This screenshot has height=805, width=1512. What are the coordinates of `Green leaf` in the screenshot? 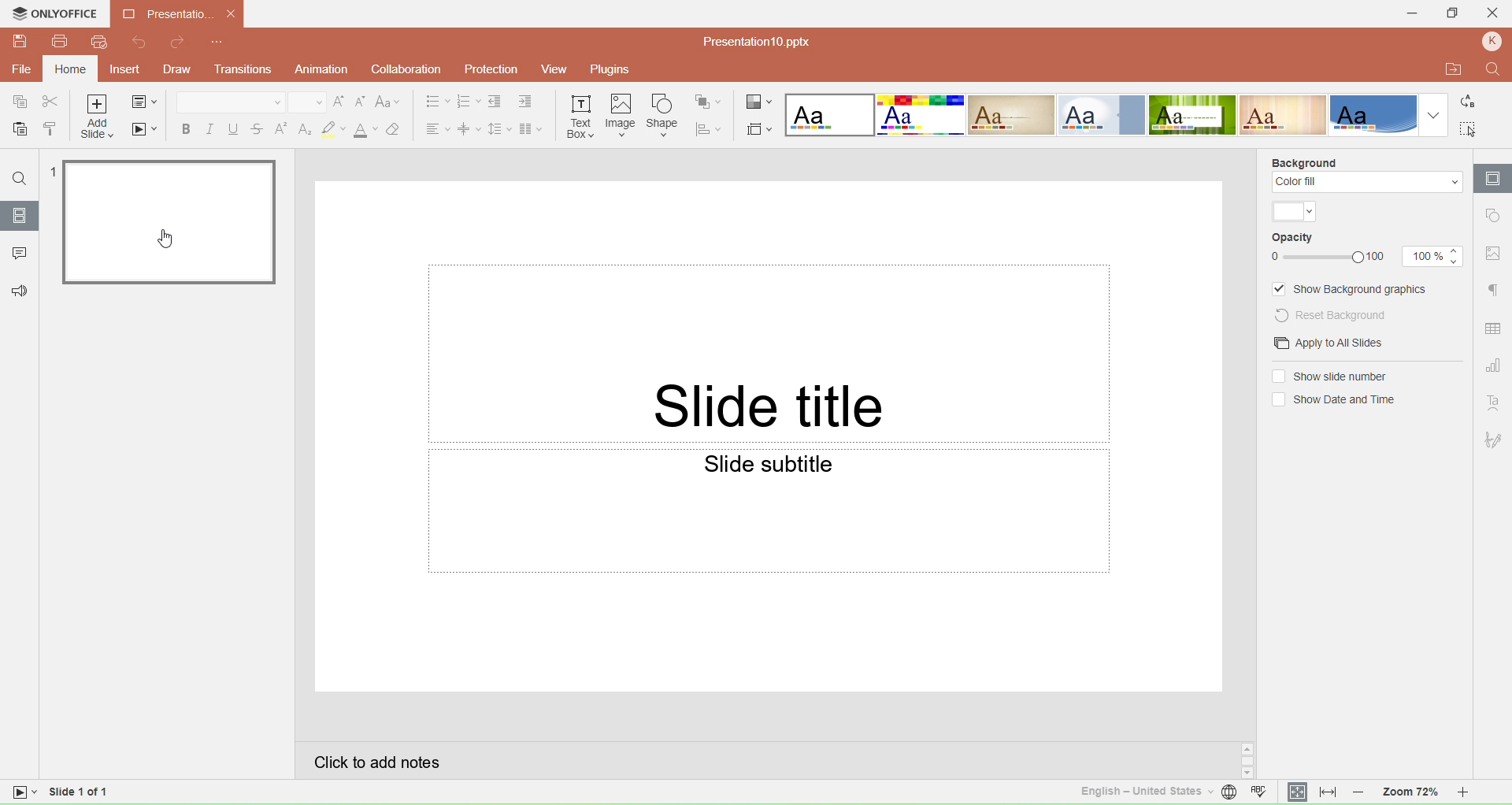 It's located at (1195, 115).